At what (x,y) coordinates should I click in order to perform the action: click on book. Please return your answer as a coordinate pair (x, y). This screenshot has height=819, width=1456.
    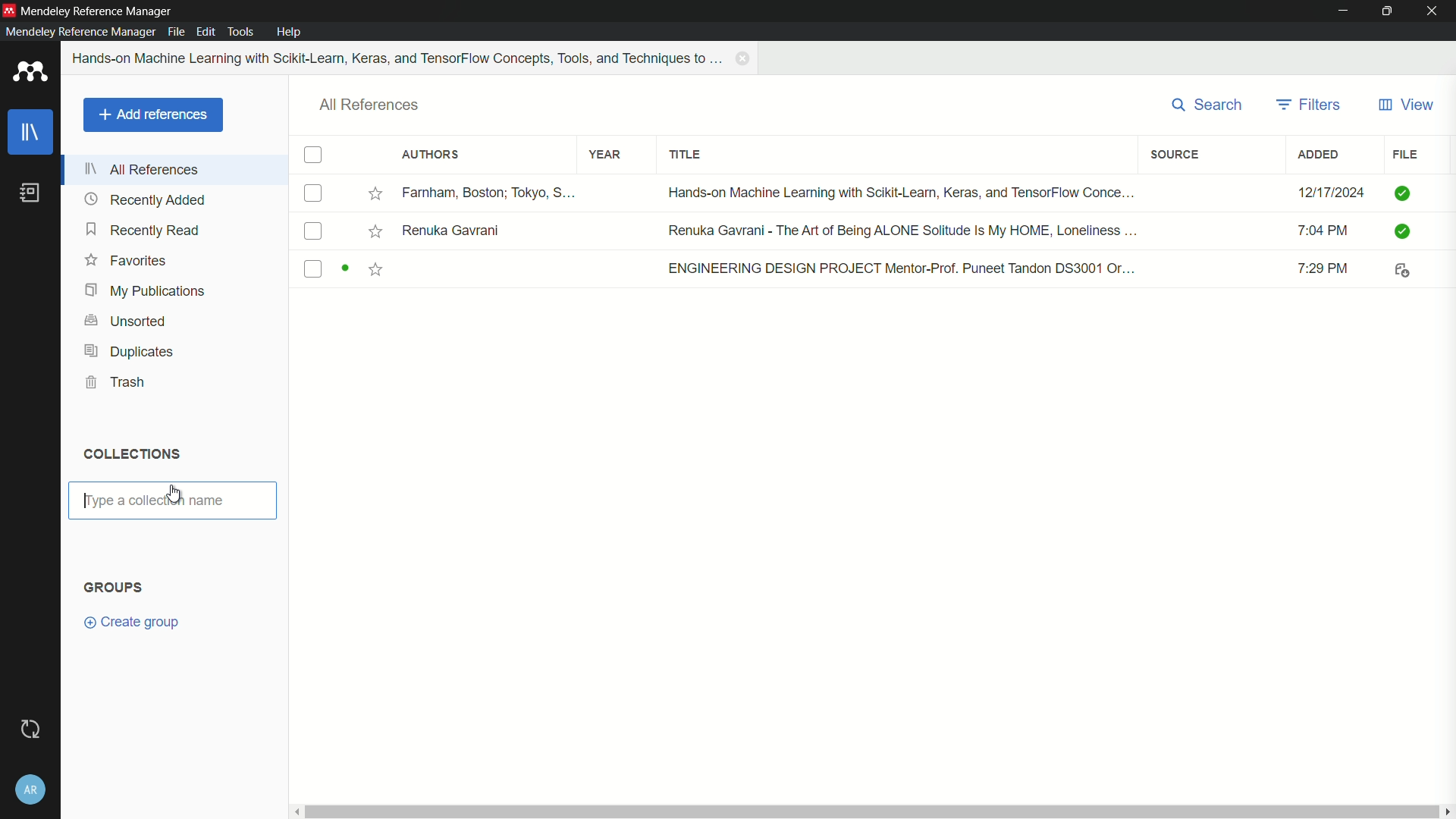
    Looking at the image, I should click on (30, 193).